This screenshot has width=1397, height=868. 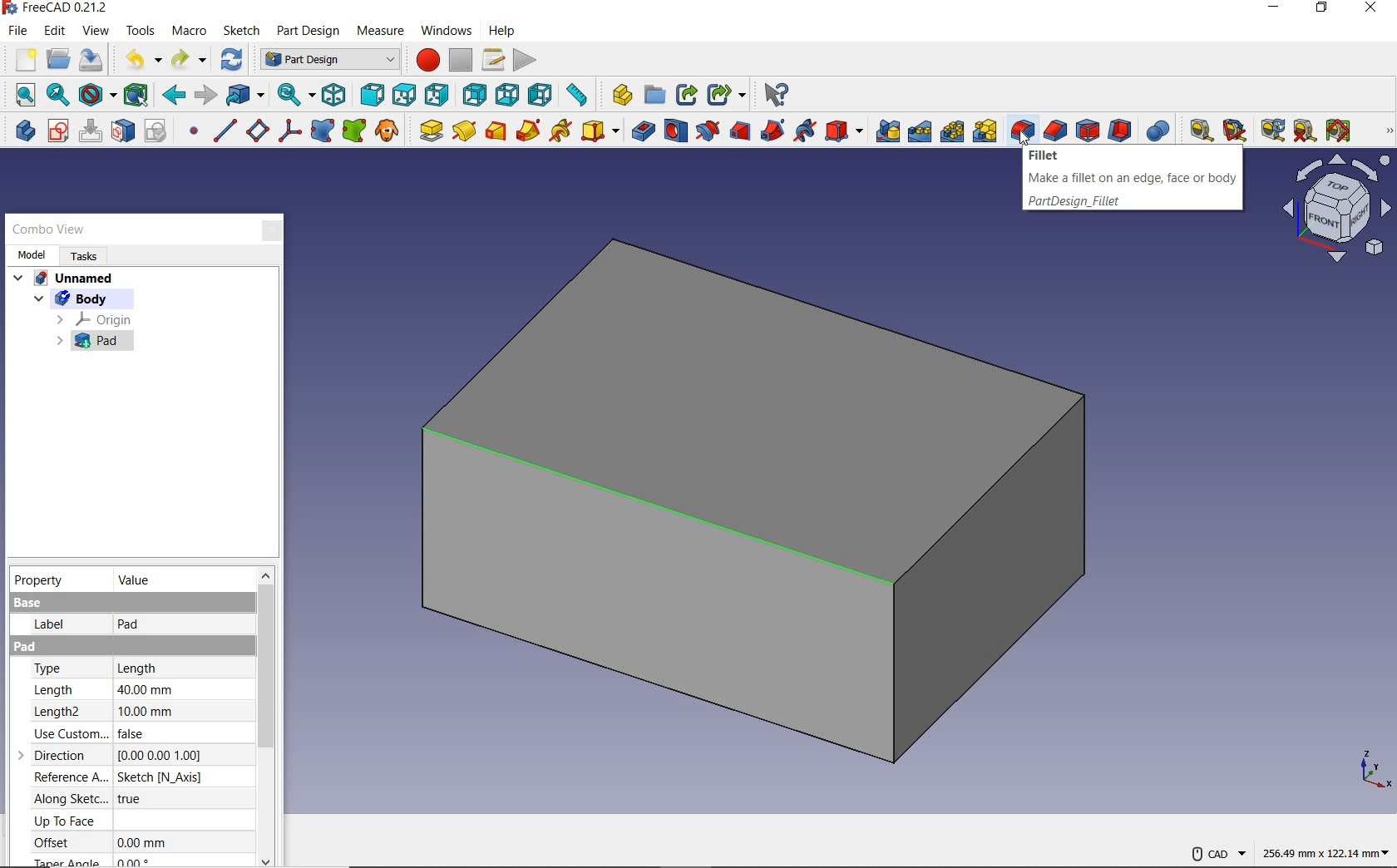 I want to click on go to linked object, so click(x=245, y=96).